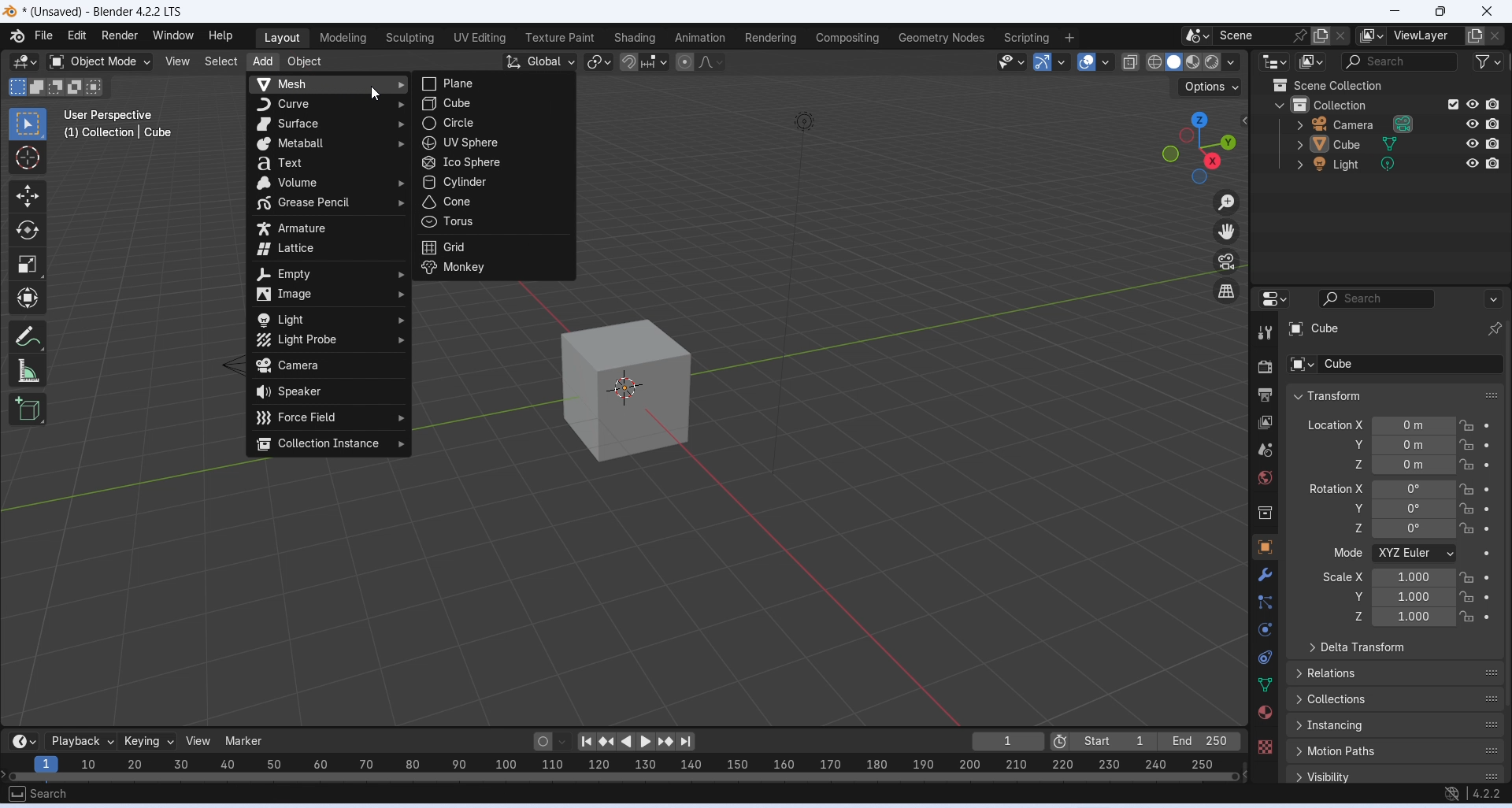 The height and width of the screenshot is (808, 1512). Describe the element at coordinates (1394, 364) in the screenshot. I see `Cube` at that location.